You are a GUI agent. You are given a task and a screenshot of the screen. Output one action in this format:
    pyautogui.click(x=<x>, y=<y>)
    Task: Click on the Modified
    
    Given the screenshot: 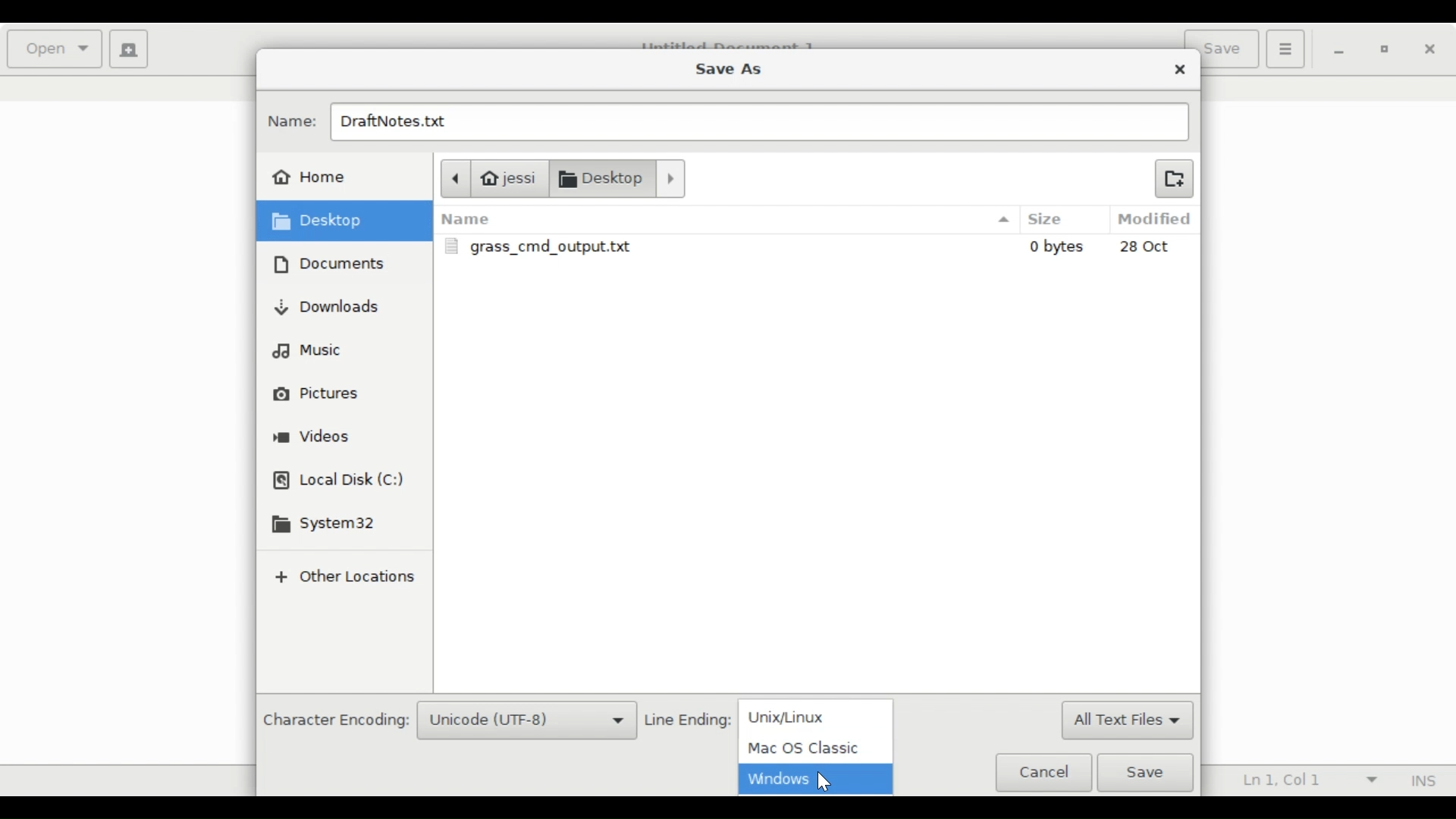 What is the action you would take?
    pyautogui.click(x=1156, y=219)
    